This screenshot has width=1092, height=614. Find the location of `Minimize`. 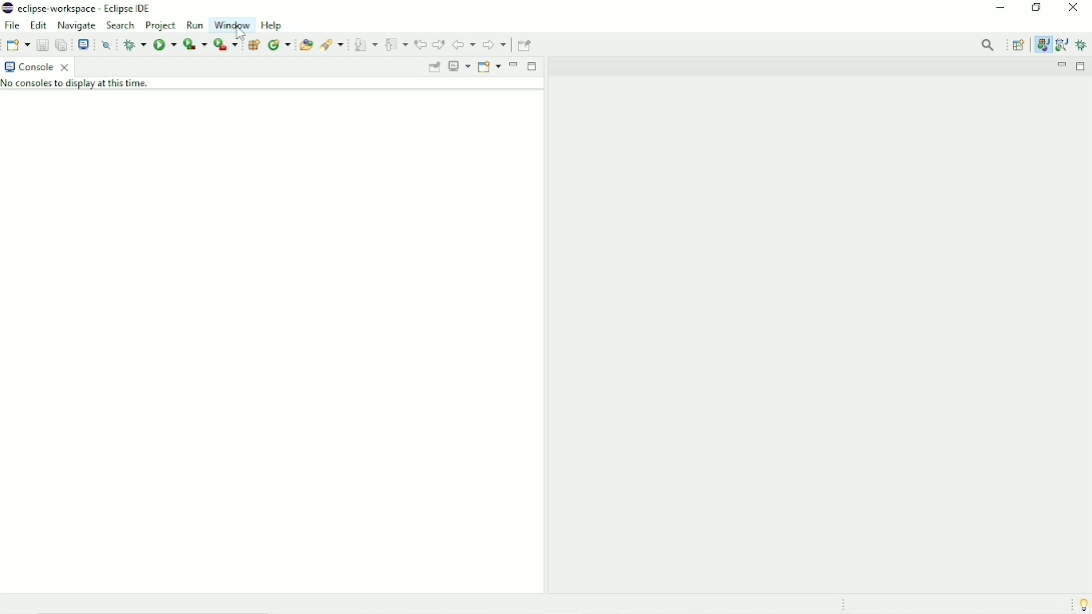

Minimize is located at coordinates (1060, 66).